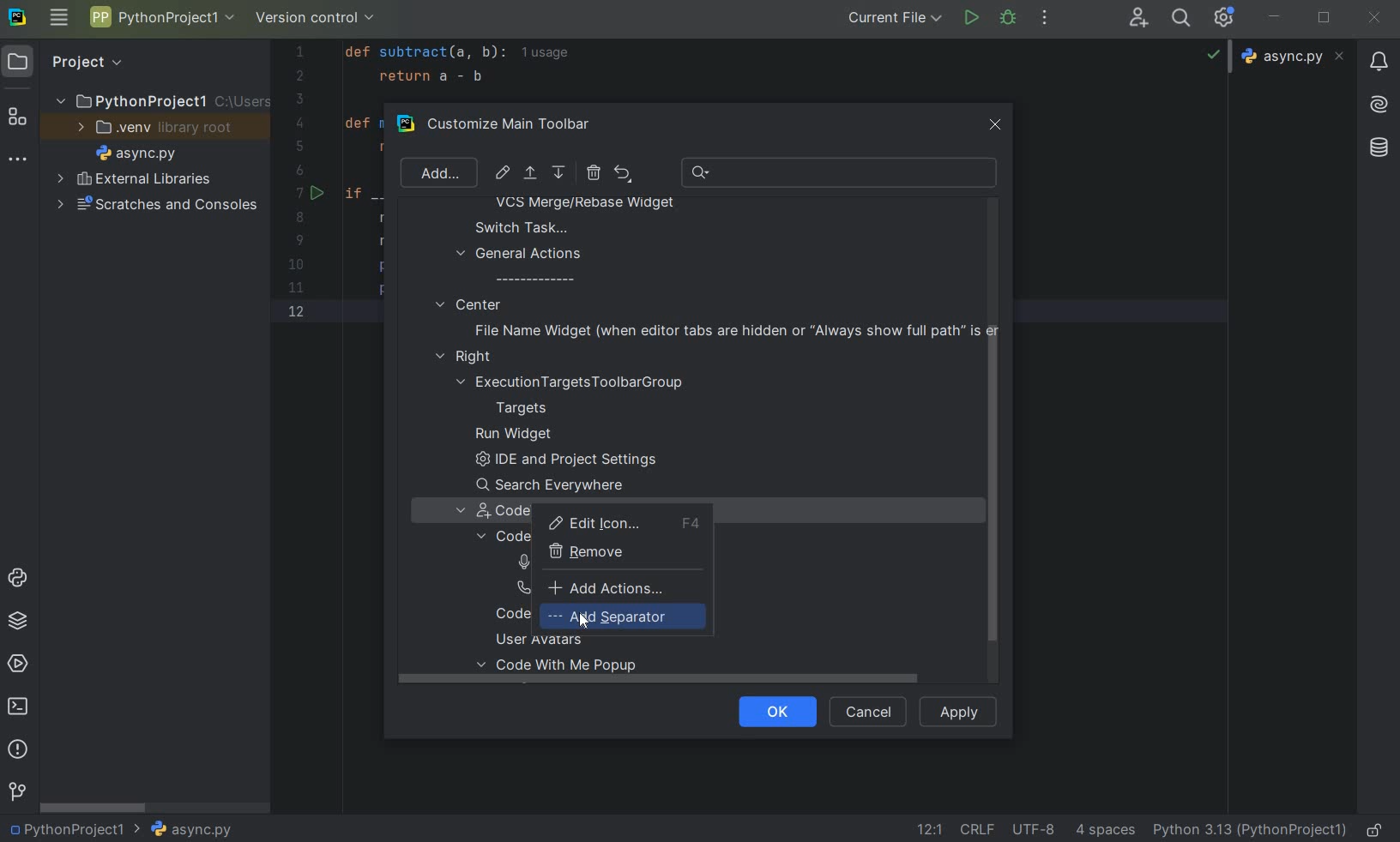  What do you see at coordinates (591, 552) in the screenshot?
I see `remove` at bounding box center [591, 552].